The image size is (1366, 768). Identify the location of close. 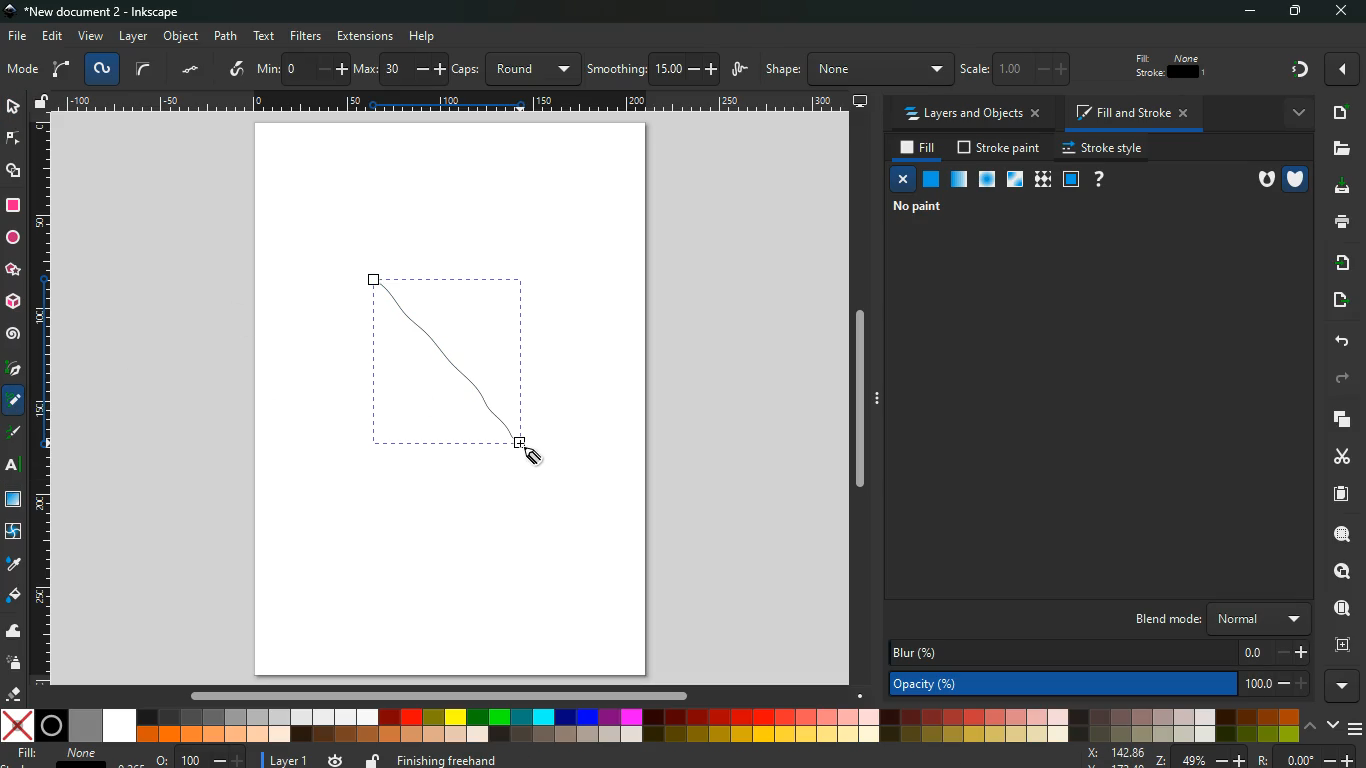
(905, 183).